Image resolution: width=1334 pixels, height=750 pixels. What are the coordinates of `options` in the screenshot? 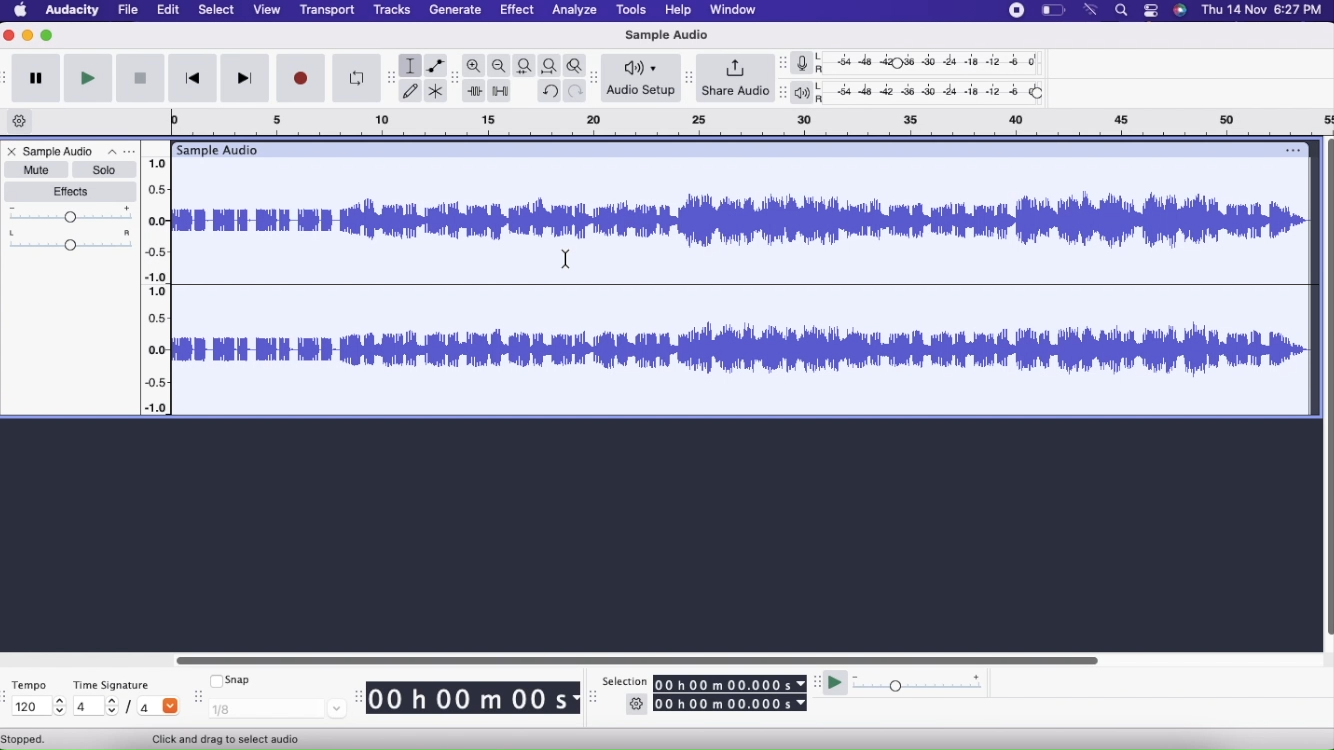 It's located at (1291, 149).